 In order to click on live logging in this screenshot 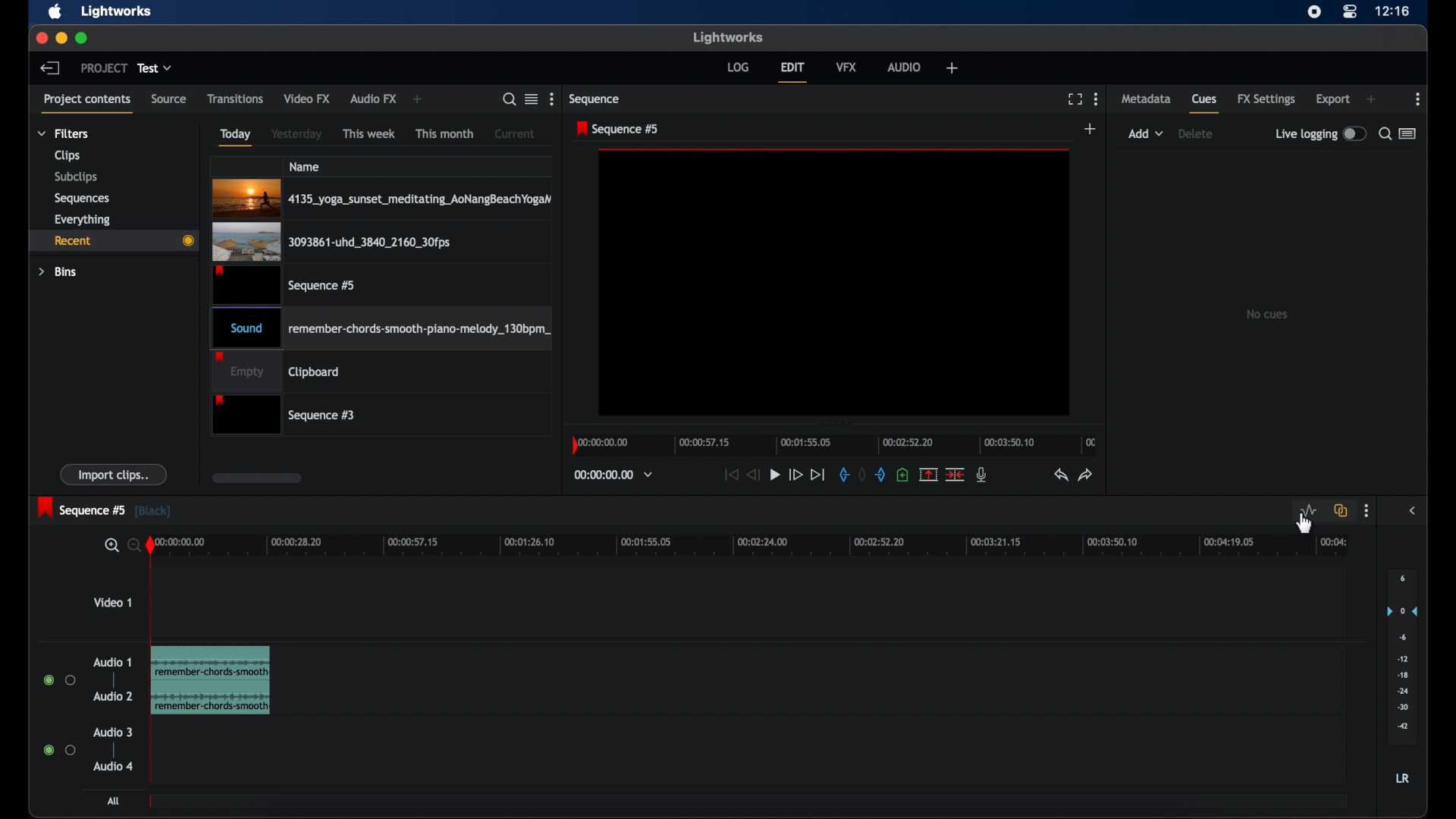, I will do `click(1320, 134)`.